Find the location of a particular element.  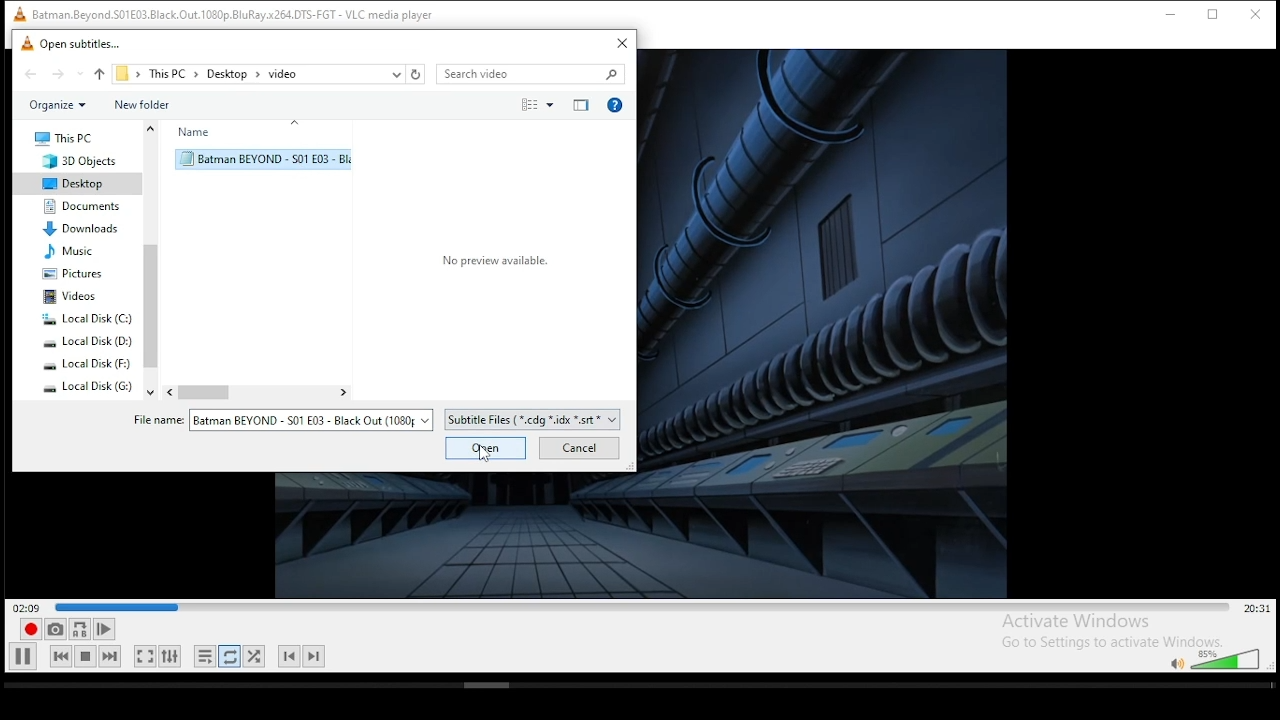

restore is located at coordinates (1215, 15).